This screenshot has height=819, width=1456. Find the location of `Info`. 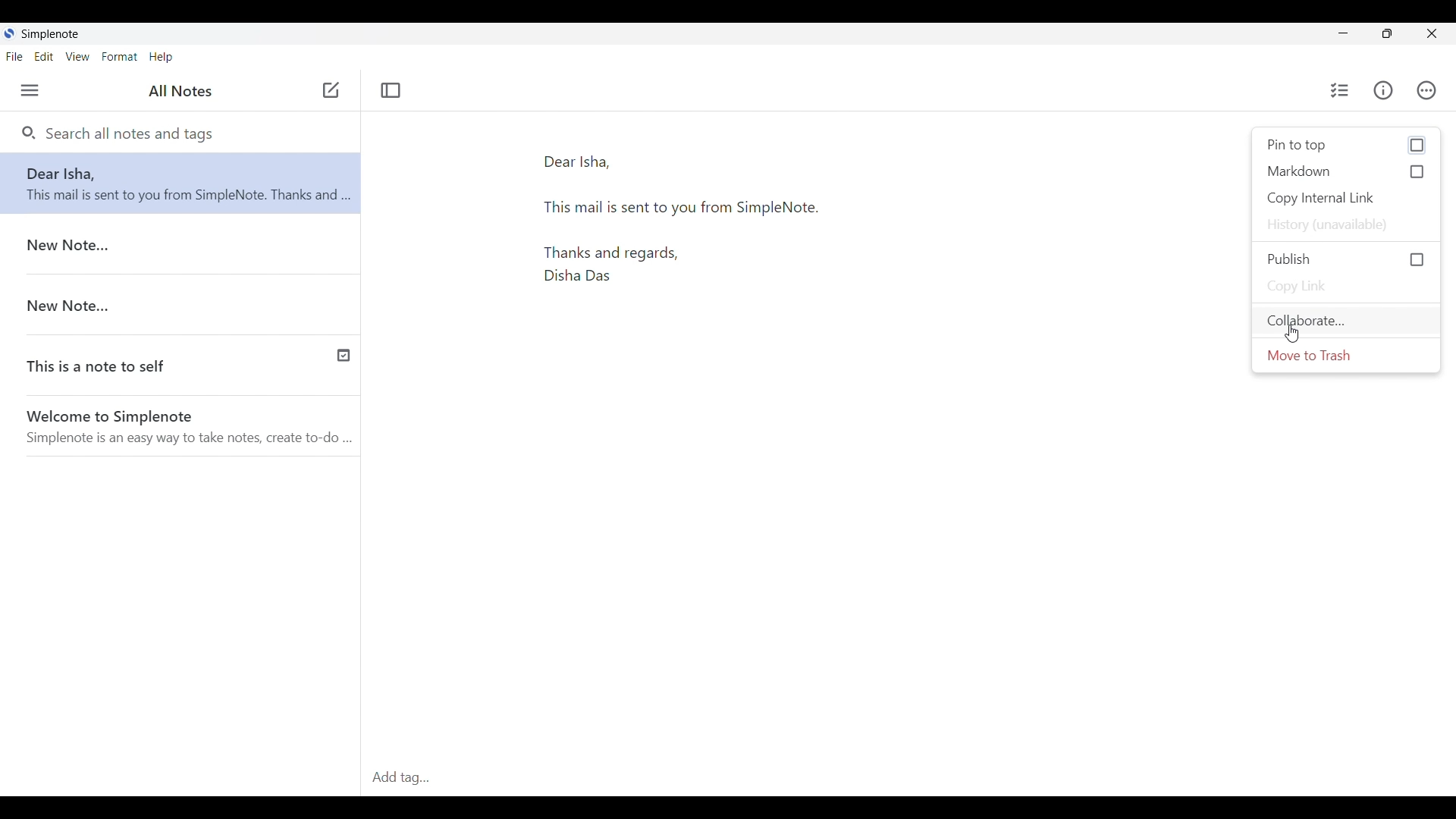

Info is located at coordinates (1384, 90).